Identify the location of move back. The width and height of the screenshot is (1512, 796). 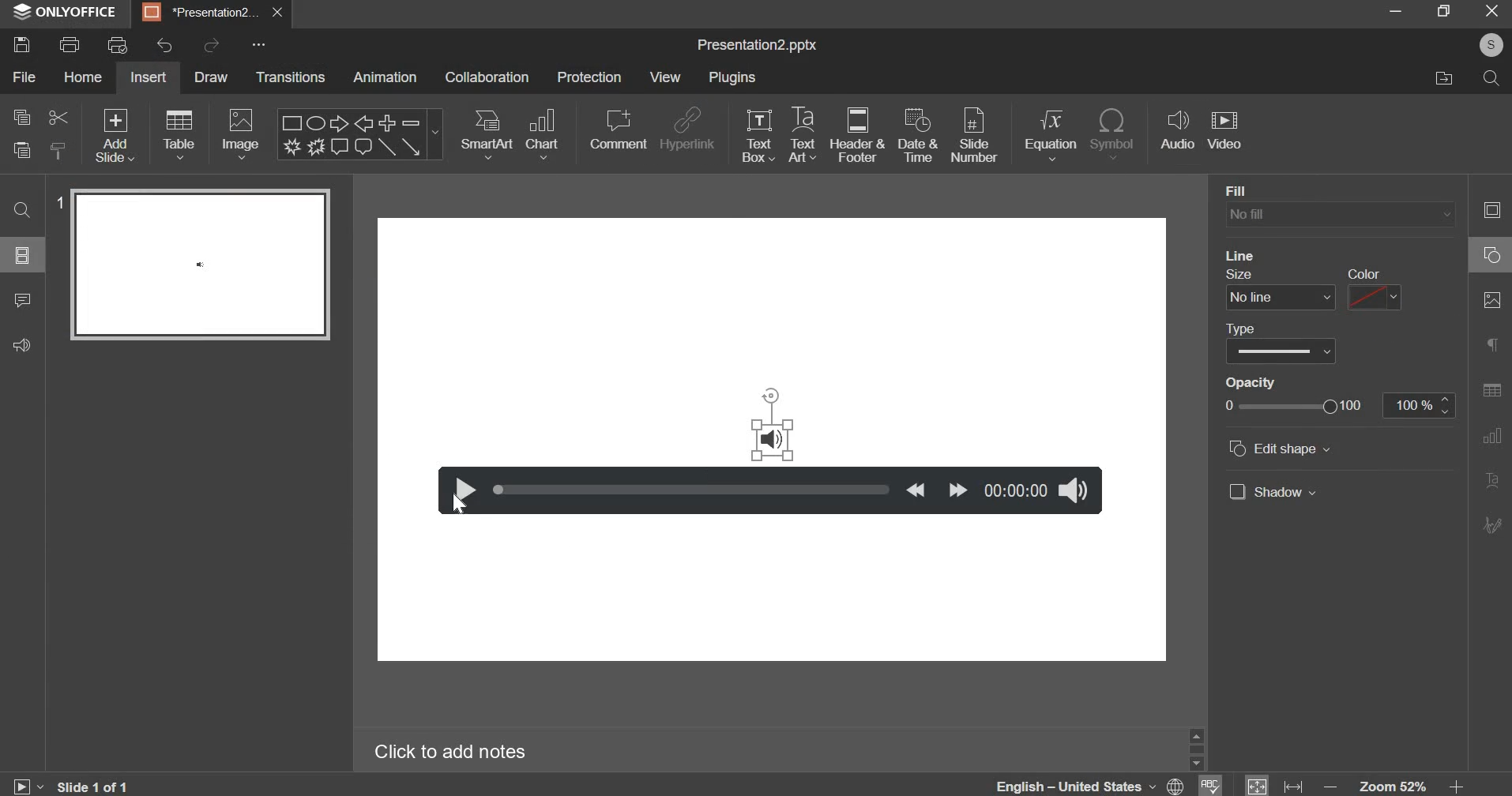
(916, 490).